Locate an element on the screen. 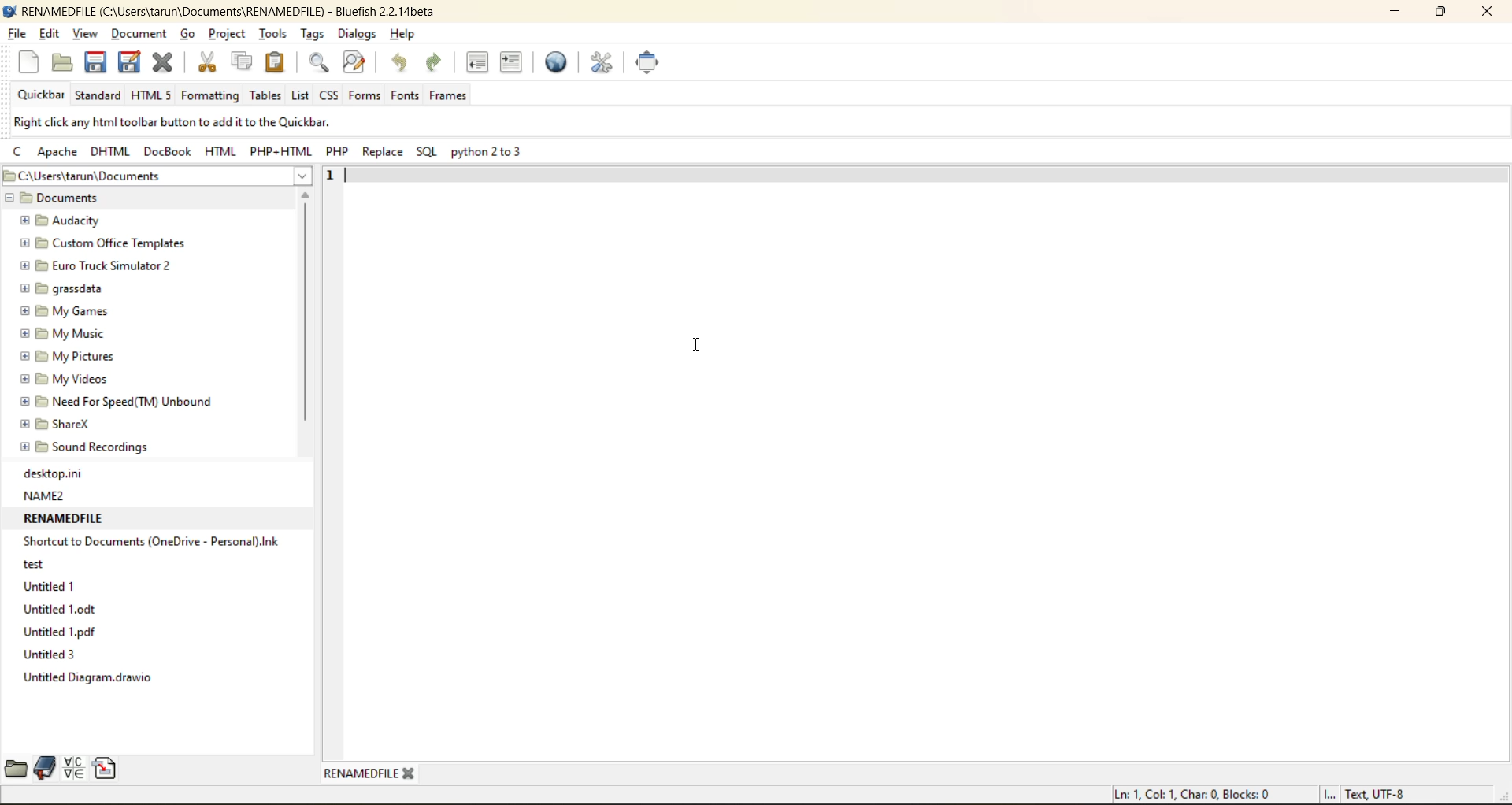 The image size is (1512, 805). close is located at coordinates (1490, 11).